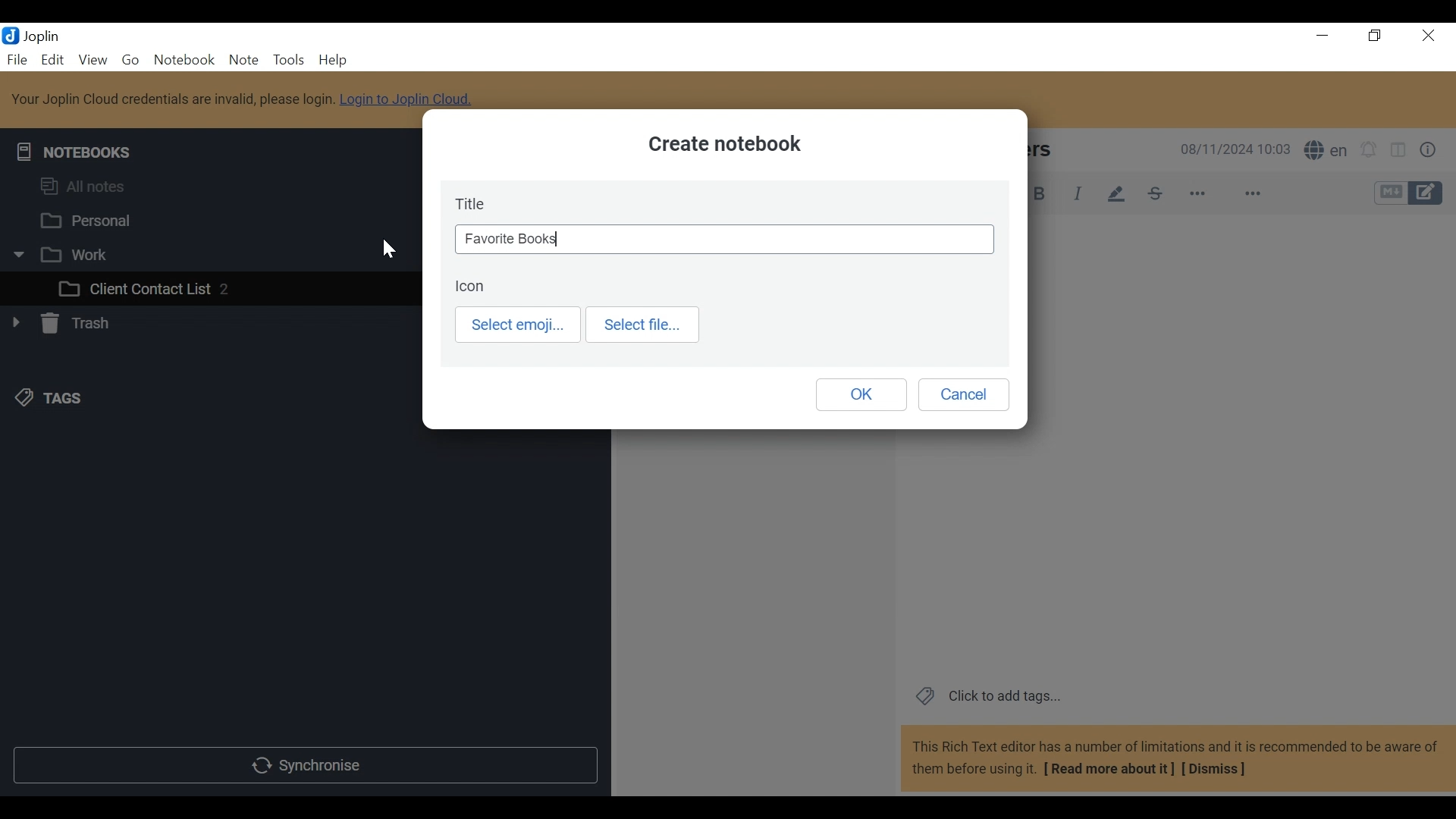 The width and height of the screenshot is (1456, 819). Describe the element at coordinates (1407, 193) in the screenshot. I see `Toggle Editor` at that location.